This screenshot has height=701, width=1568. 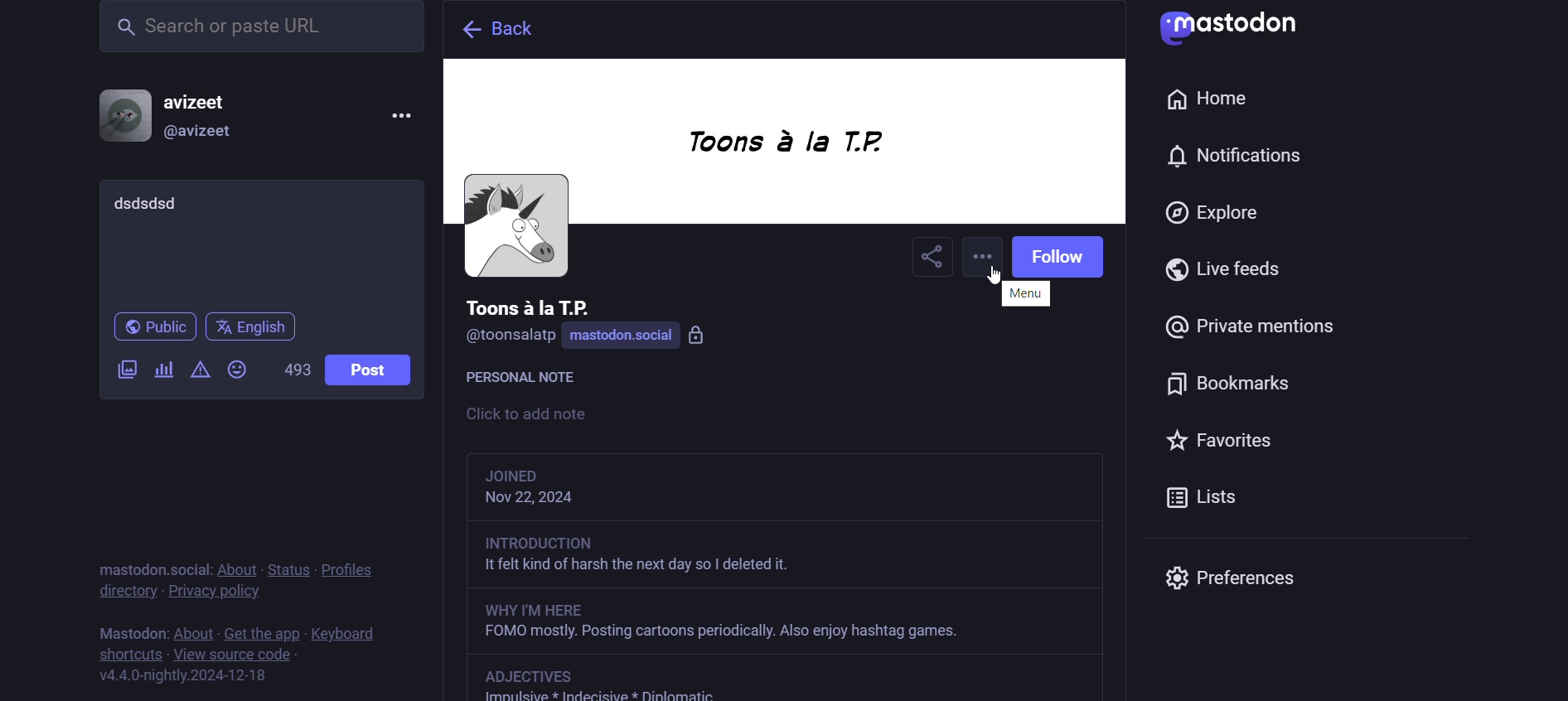 What do you see at coordinates (932, 259) in the screenshot?
I see `share` at bounding box center [932, 259].